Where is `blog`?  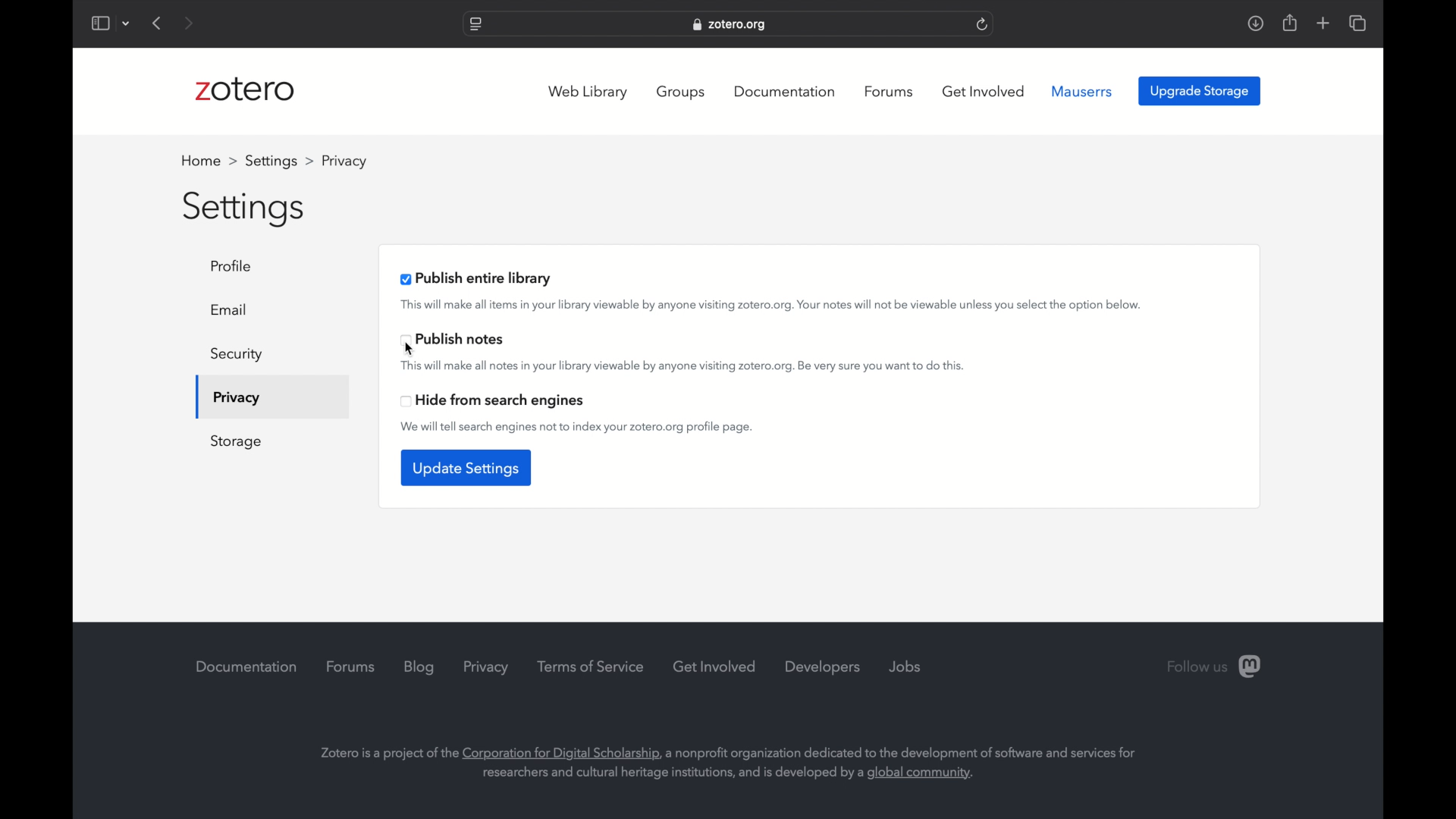 blog is located at coordinates (419, 667).